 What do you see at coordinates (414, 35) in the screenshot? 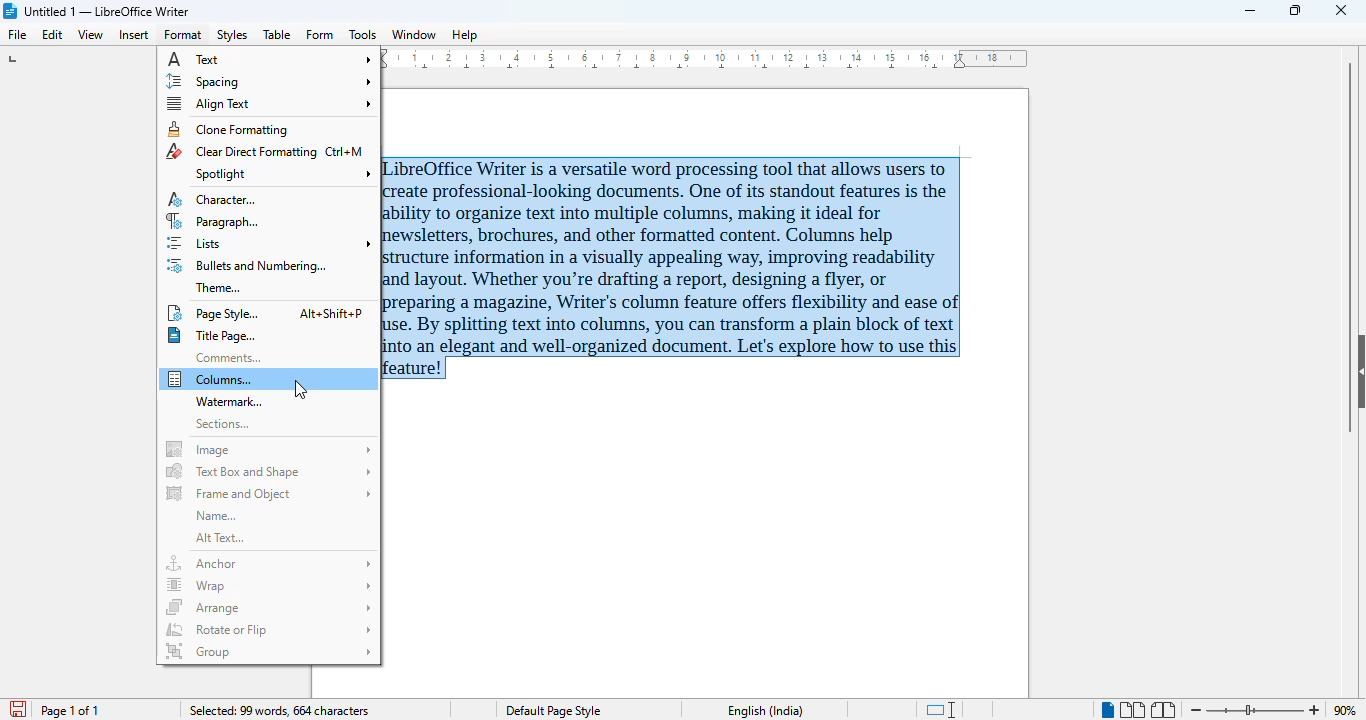
I see `window` at bounding box center [414, 35].